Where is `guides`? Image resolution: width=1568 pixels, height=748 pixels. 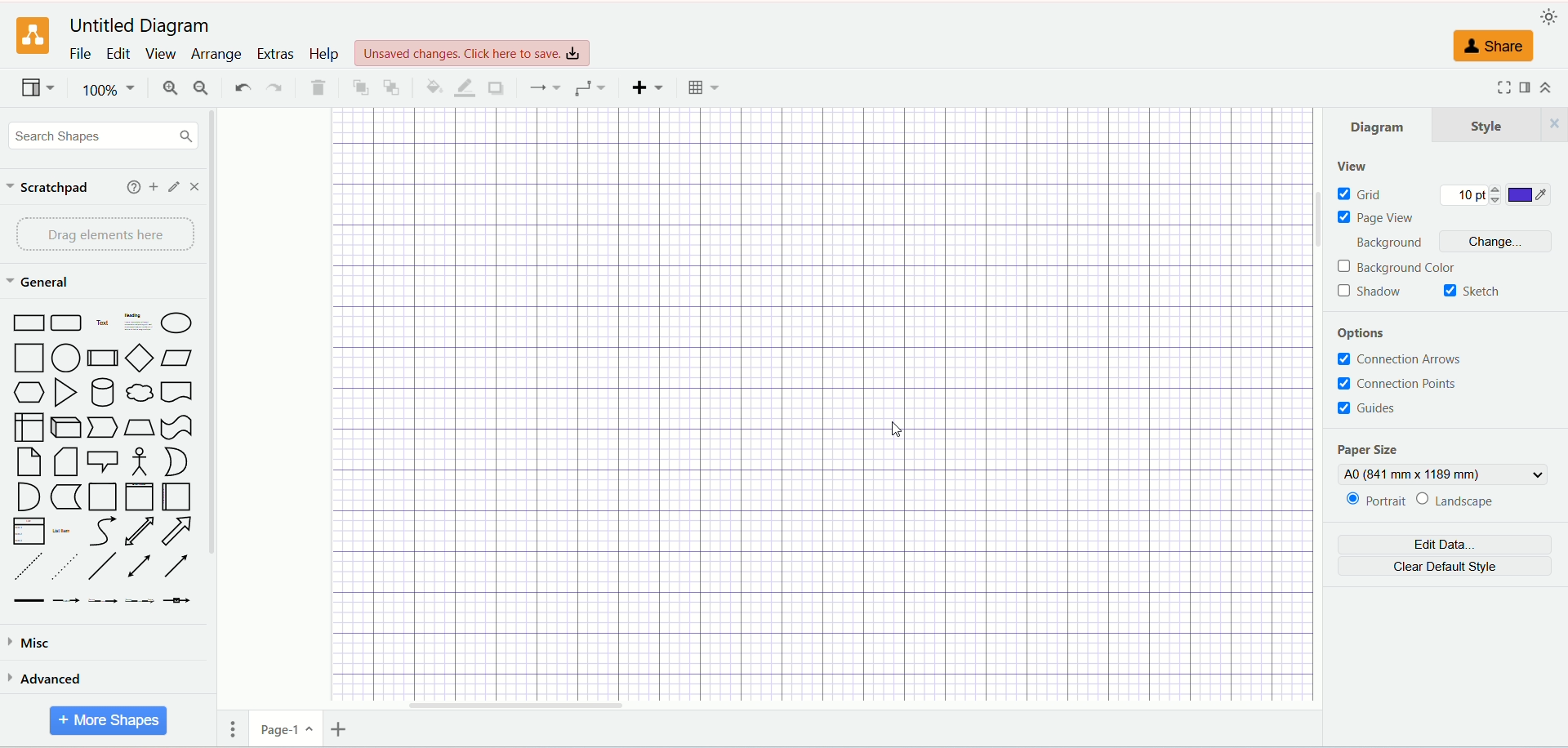
guides is located at coordinates (1369, 407).